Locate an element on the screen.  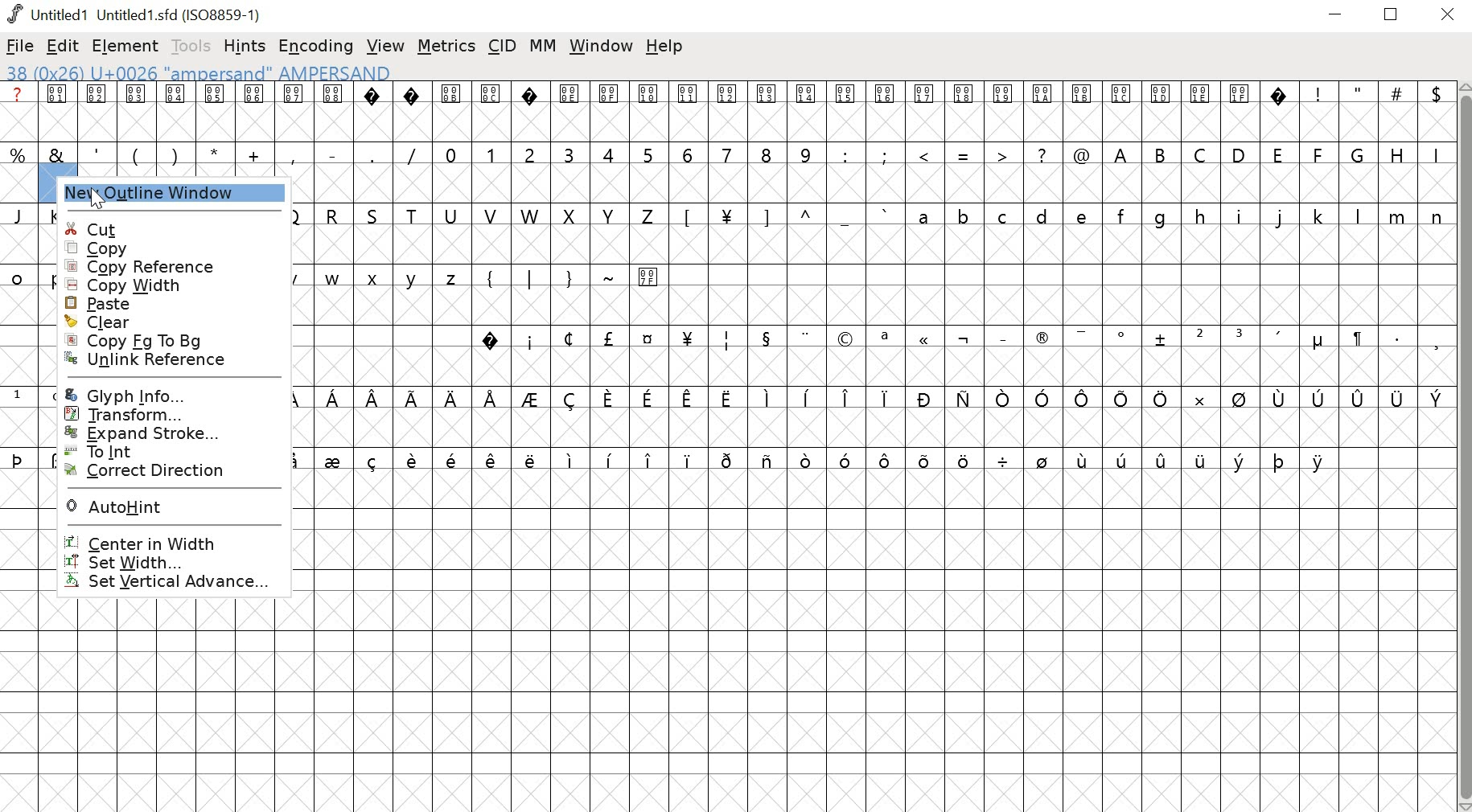
symbol is located at coordinates (532, 397).